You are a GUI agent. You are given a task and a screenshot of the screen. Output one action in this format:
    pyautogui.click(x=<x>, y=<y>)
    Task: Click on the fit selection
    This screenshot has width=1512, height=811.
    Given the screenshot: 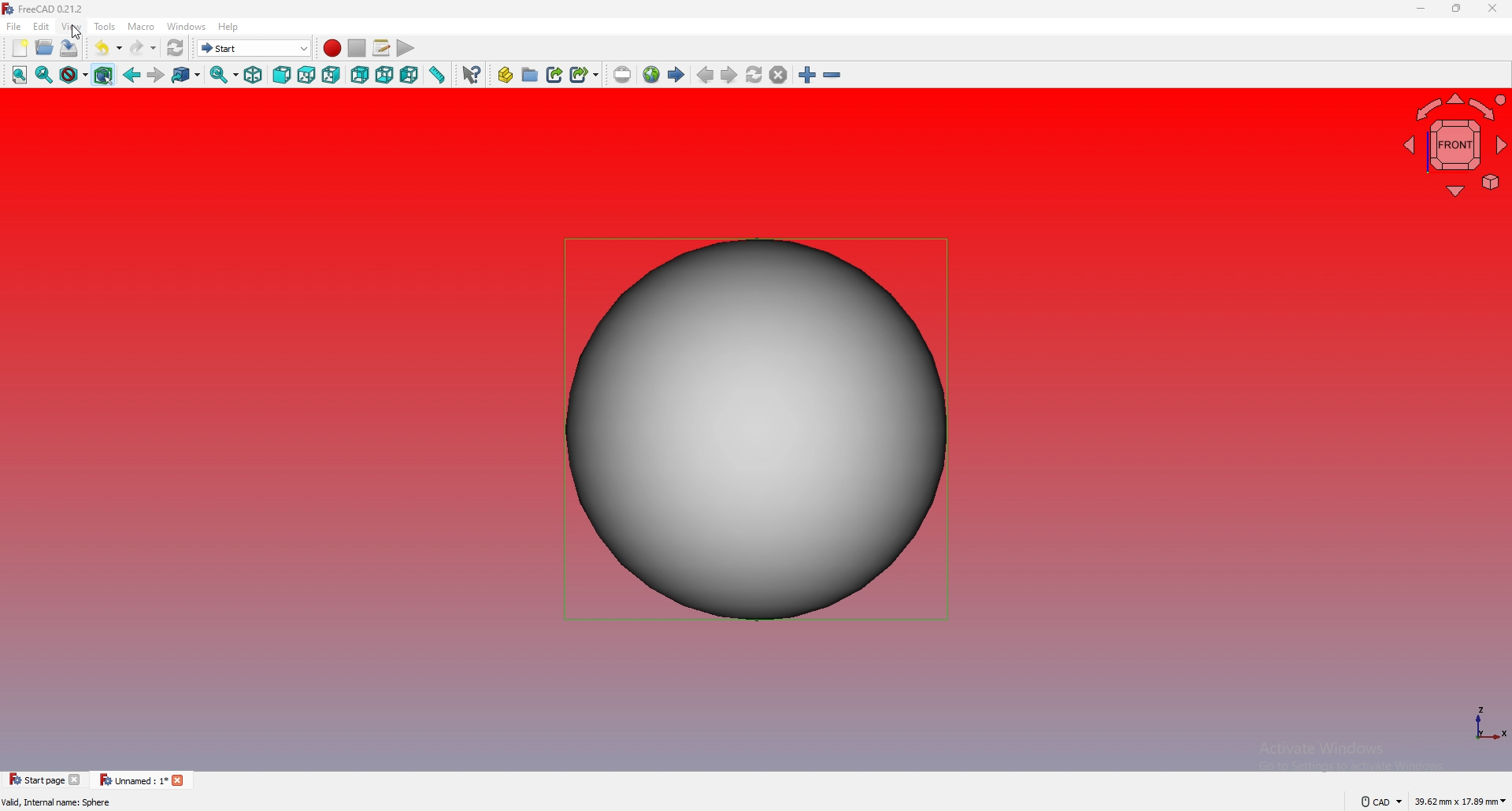 What is the action you would take?
    pyautogui.click(x=43, y=75)
    